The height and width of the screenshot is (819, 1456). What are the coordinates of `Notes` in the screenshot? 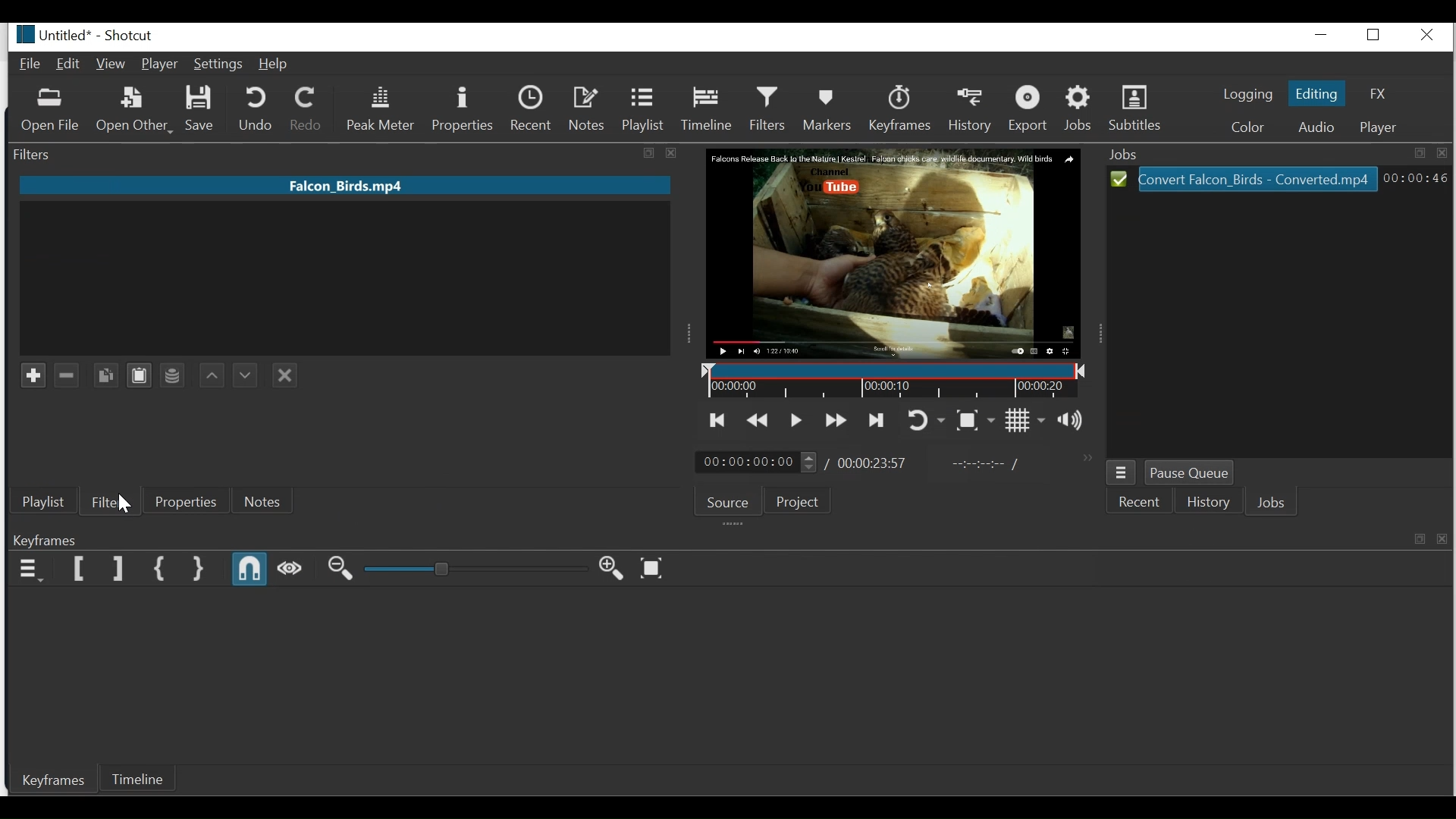 It's located at (262, 503).